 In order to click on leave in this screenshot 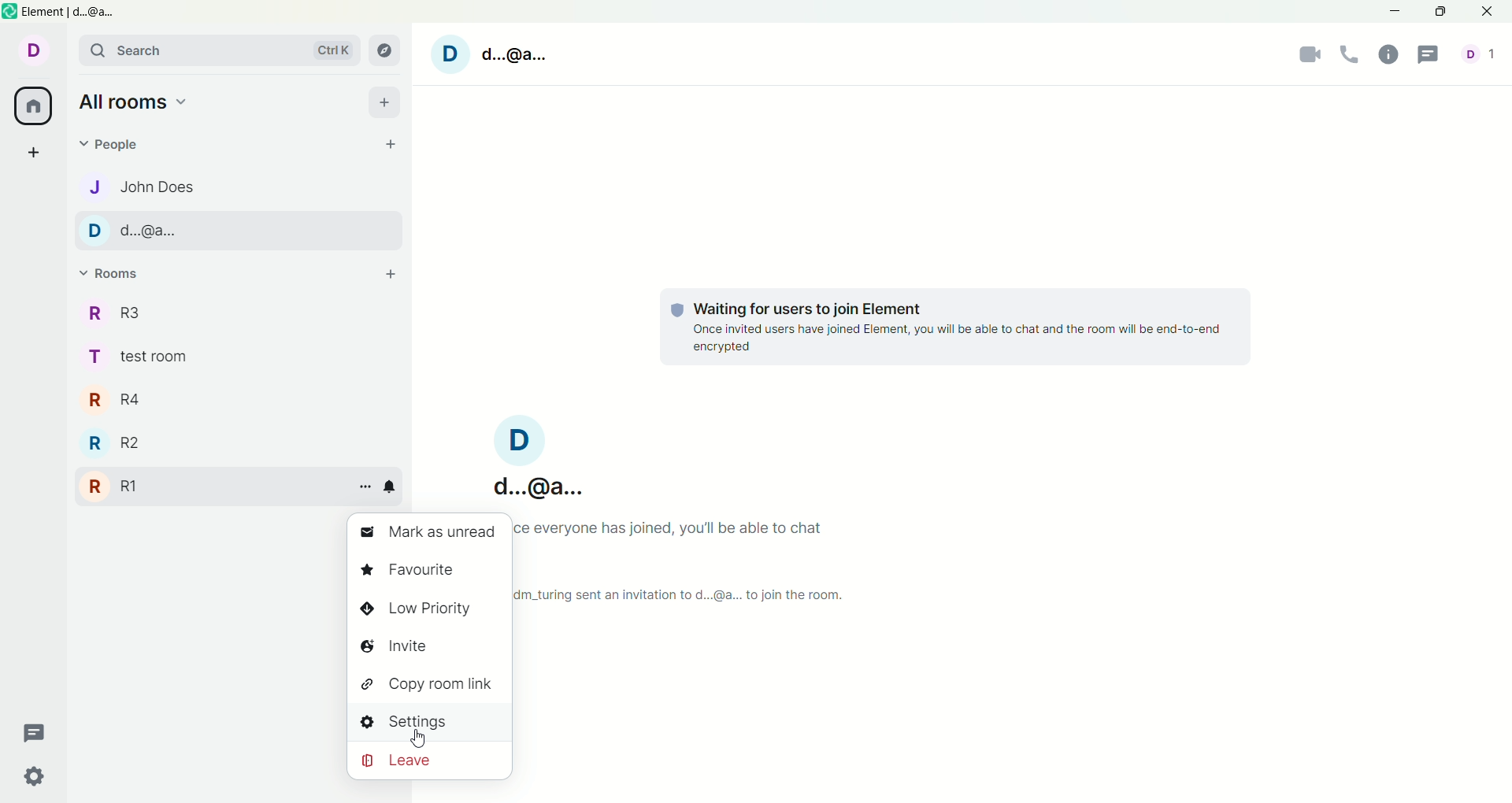, I will do `click(432, 761)`.